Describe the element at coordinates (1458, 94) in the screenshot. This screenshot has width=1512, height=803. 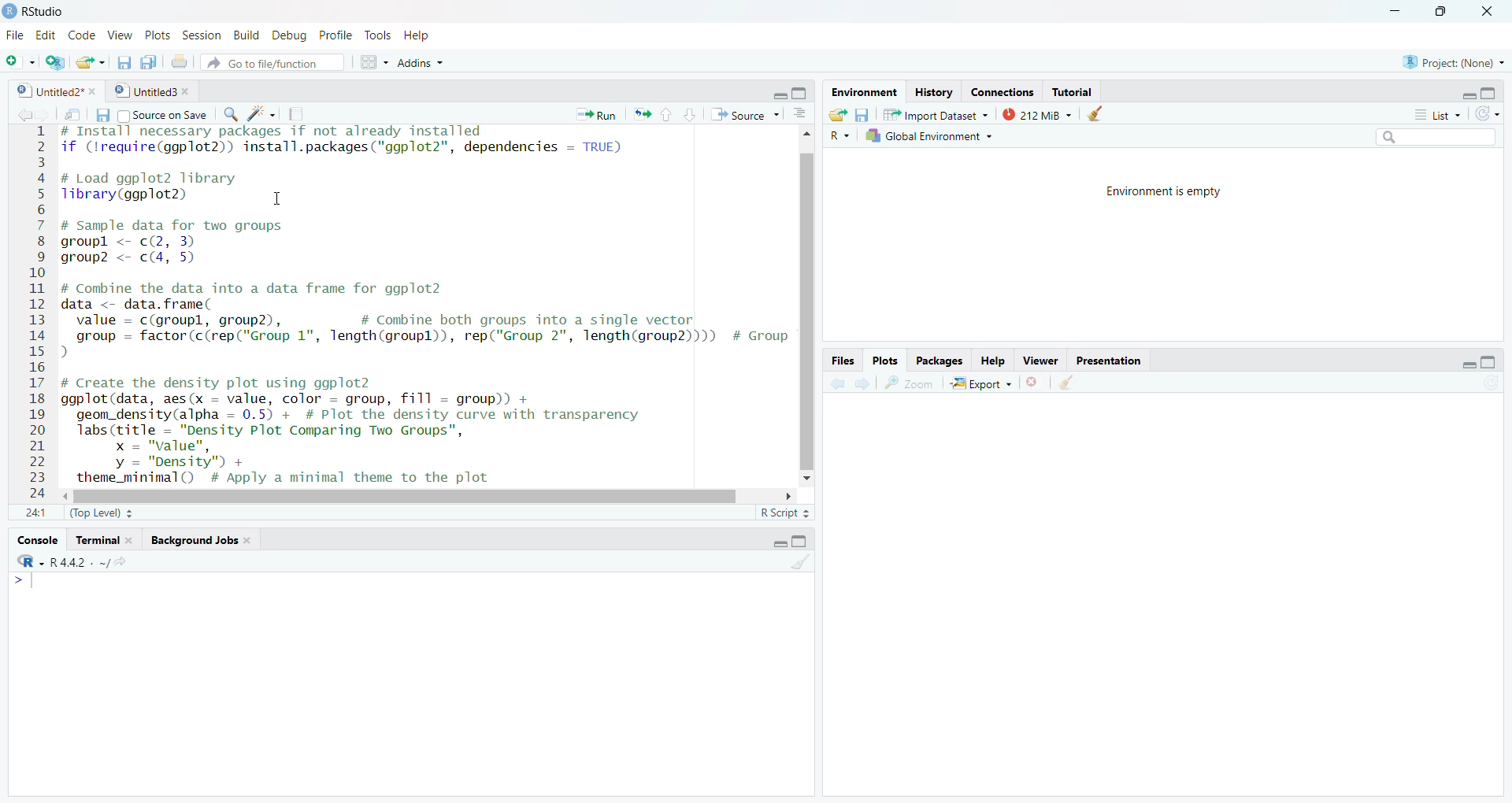
I see `minimize` at that location.